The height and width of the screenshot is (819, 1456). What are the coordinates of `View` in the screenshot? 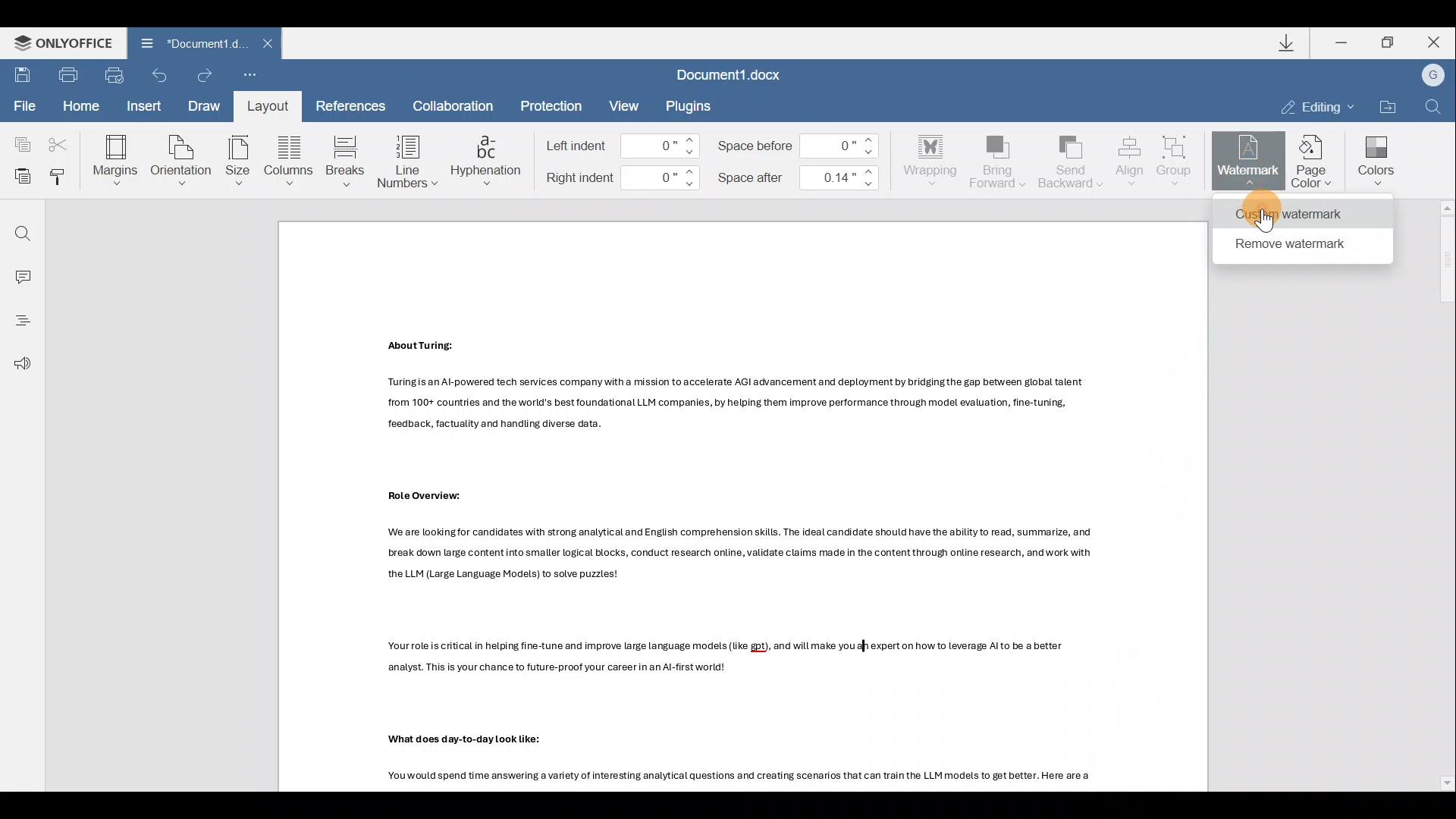 It's located at (624, 104).